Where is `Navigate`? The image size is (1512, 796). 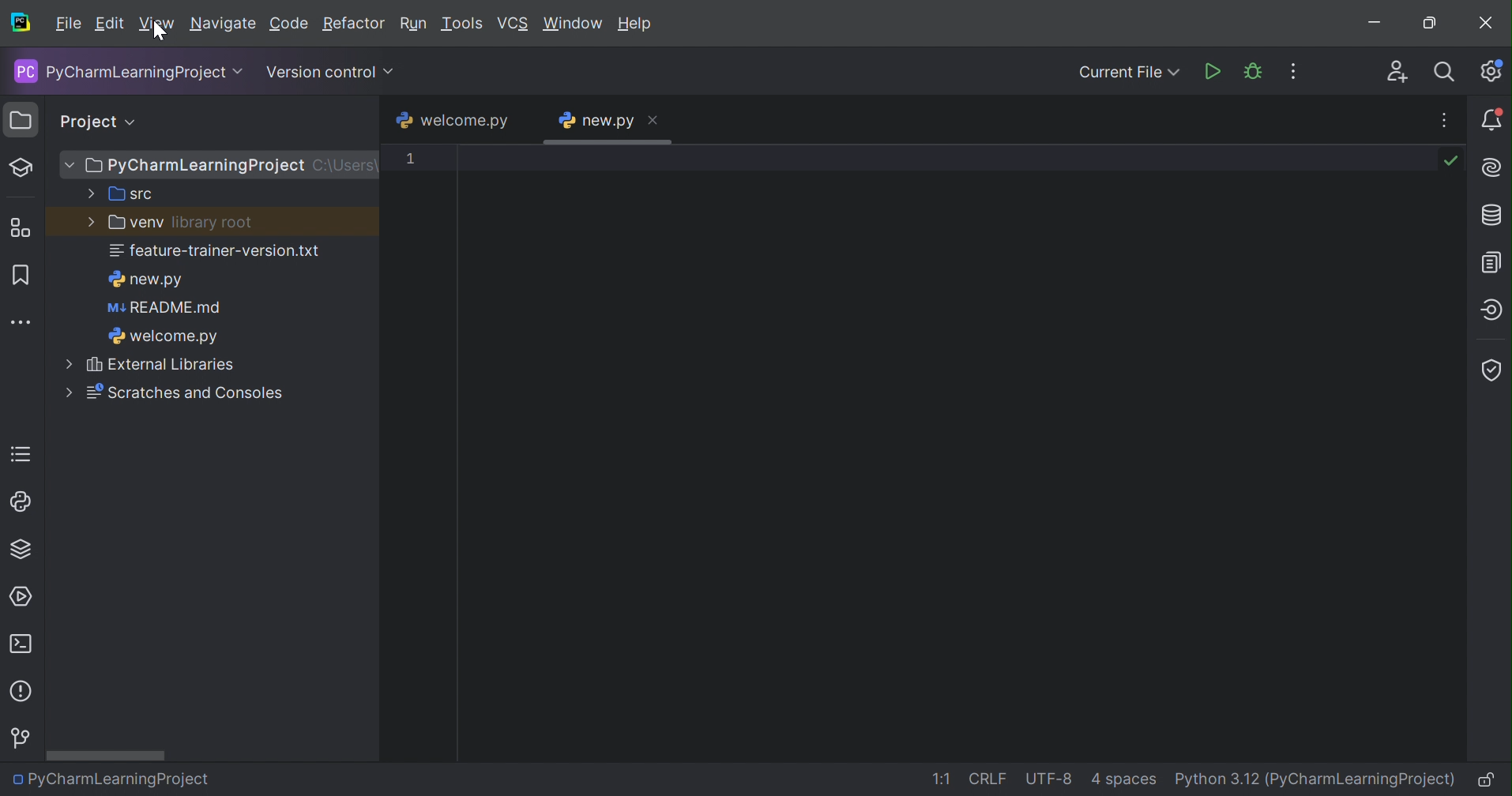 Navigate is located at coordinates (223, 25).